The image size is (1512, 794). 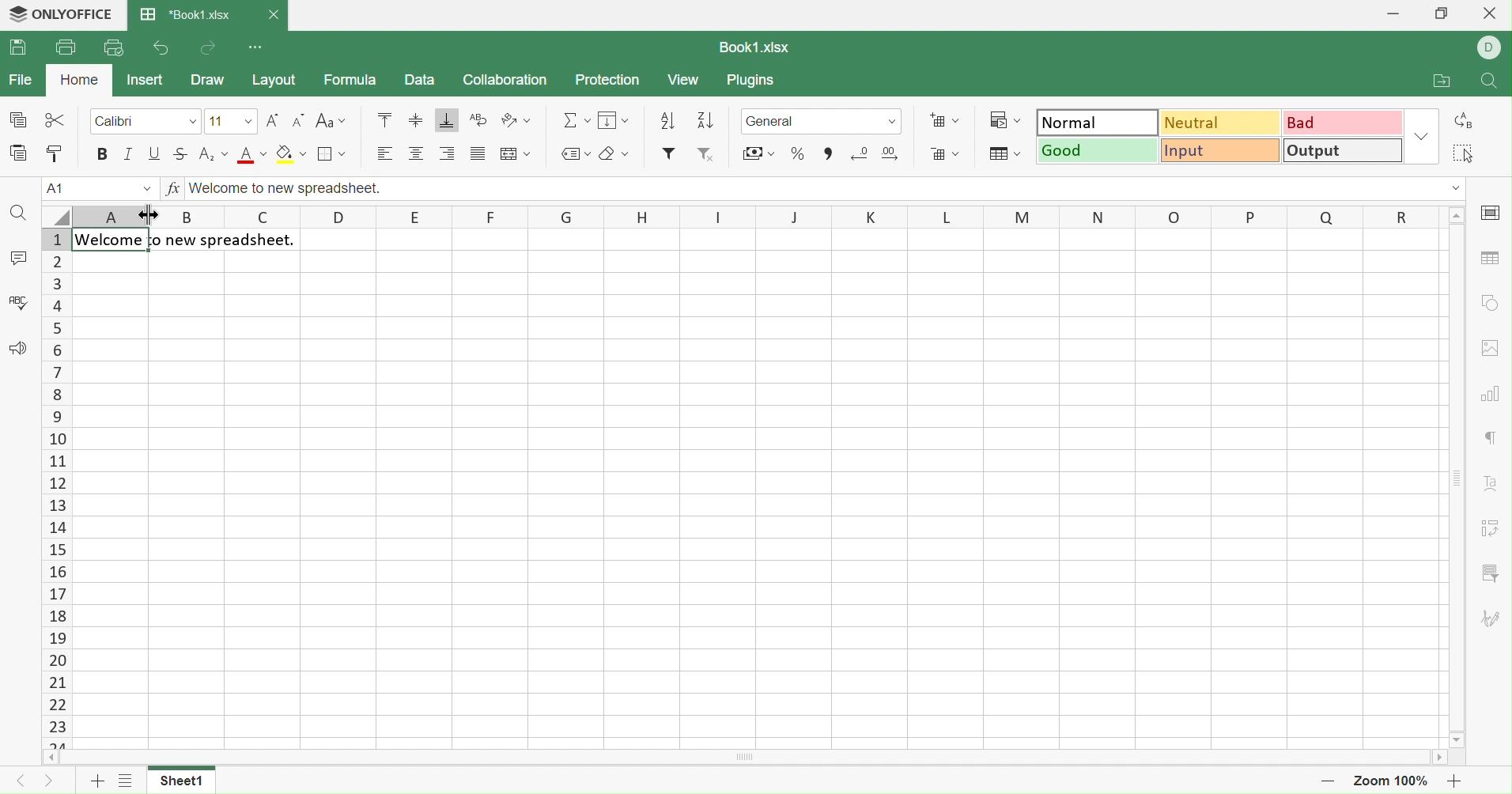 What do you see at coordinates (96, 783) in the screenshot?
I see `Add sheet` at bounding box center [96, 783].